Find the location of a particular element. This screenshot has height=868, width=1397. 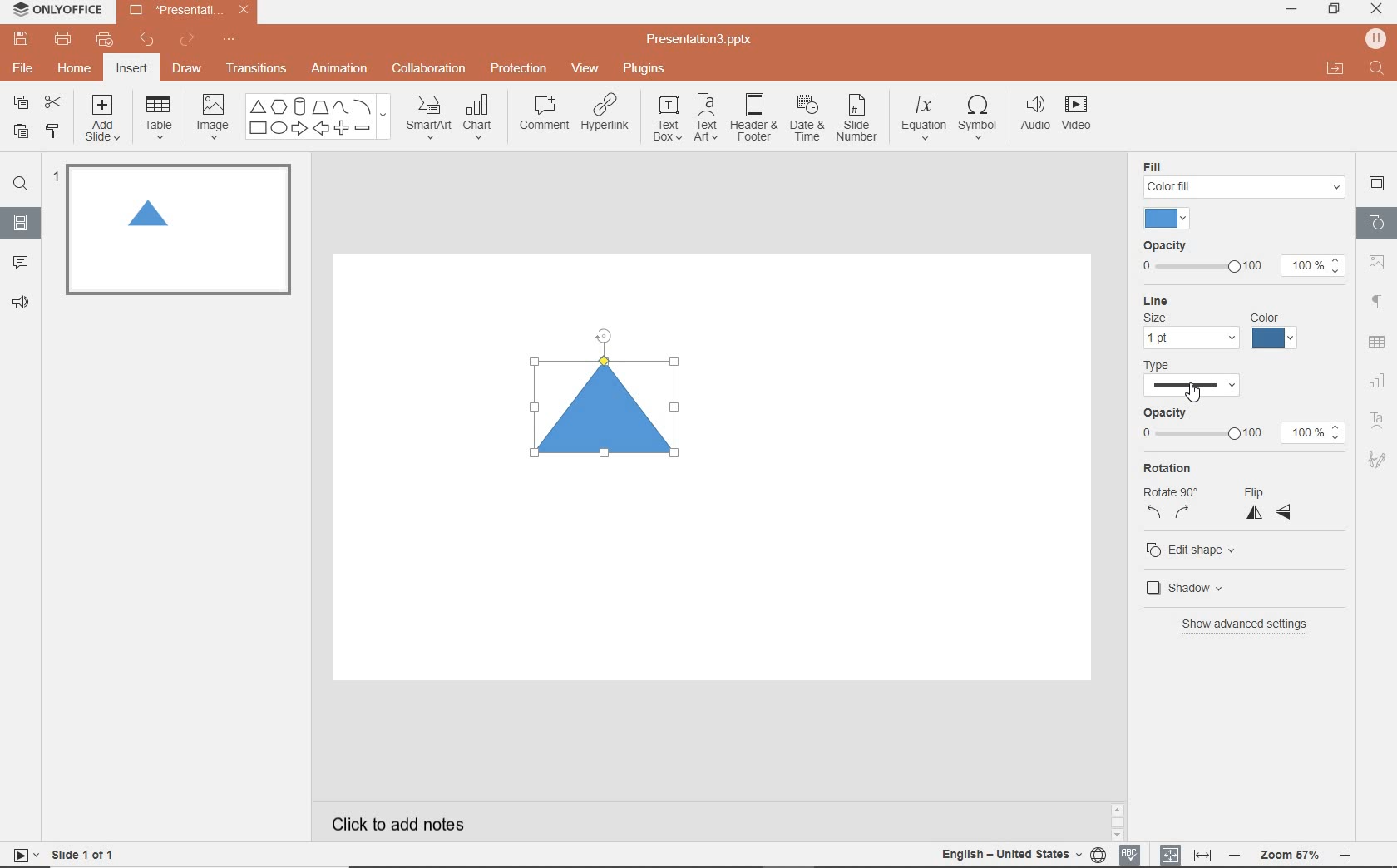

TABLE SETTINGS is located at coordinates (1377, 342).